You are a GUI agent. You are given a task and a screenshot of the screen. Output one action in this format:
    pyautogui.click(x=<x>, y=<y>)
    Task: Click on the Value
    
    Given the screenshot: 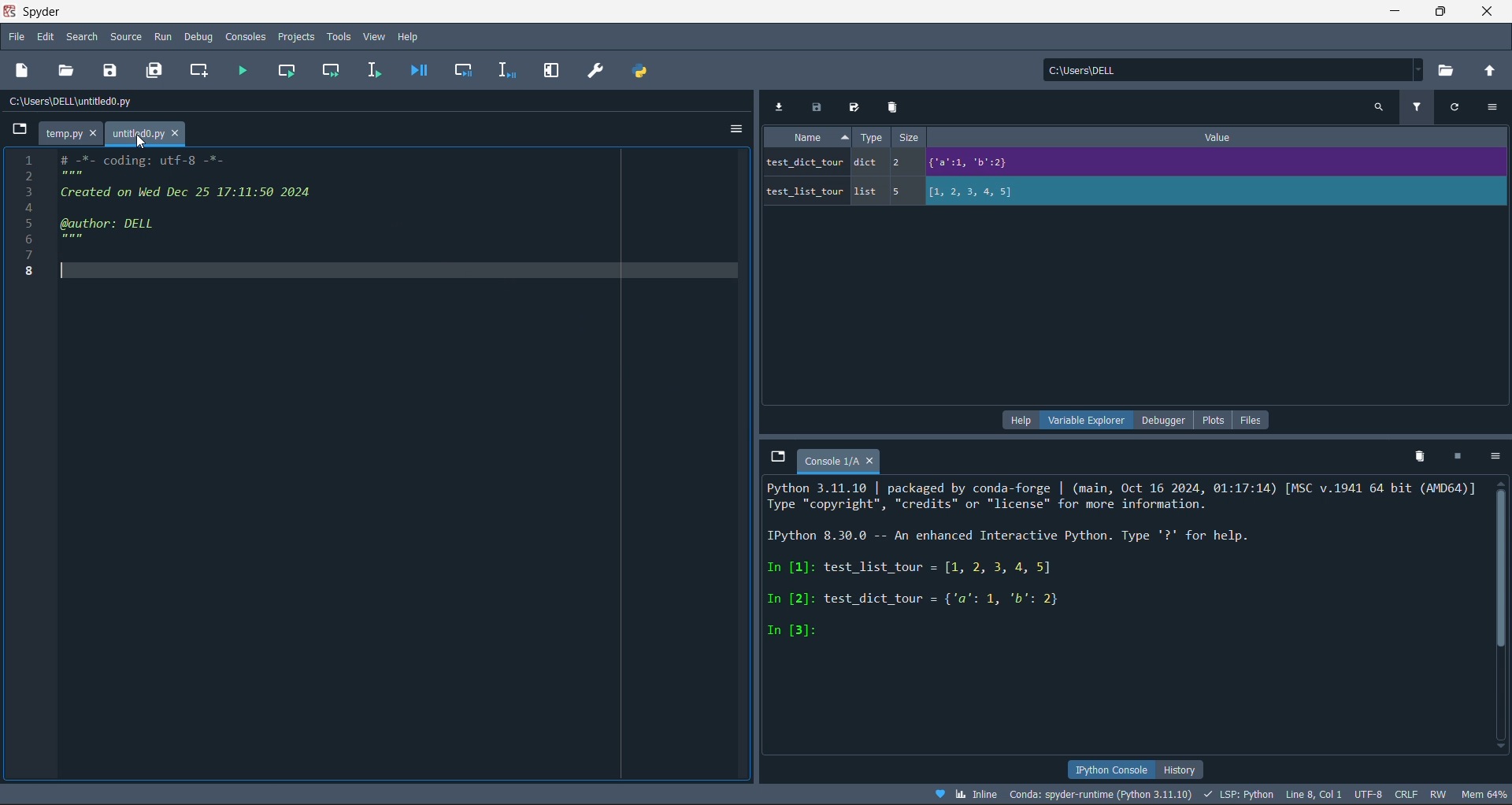 What is the action you would take?
    pyautogui.click(x=1209, y=137)
    